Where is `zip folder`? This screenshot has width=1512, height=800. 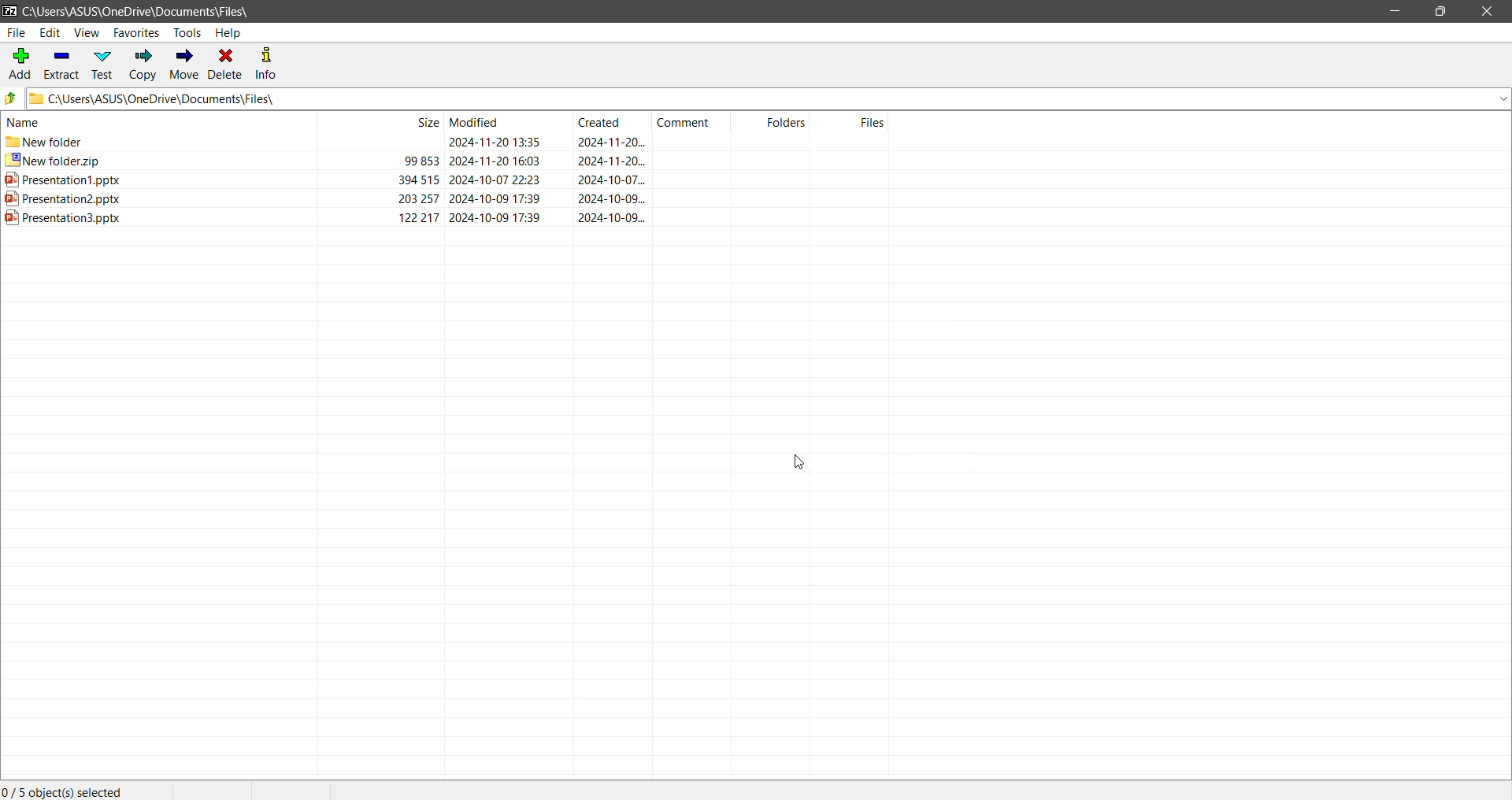
zip folder is located at coordinates (446, 161).